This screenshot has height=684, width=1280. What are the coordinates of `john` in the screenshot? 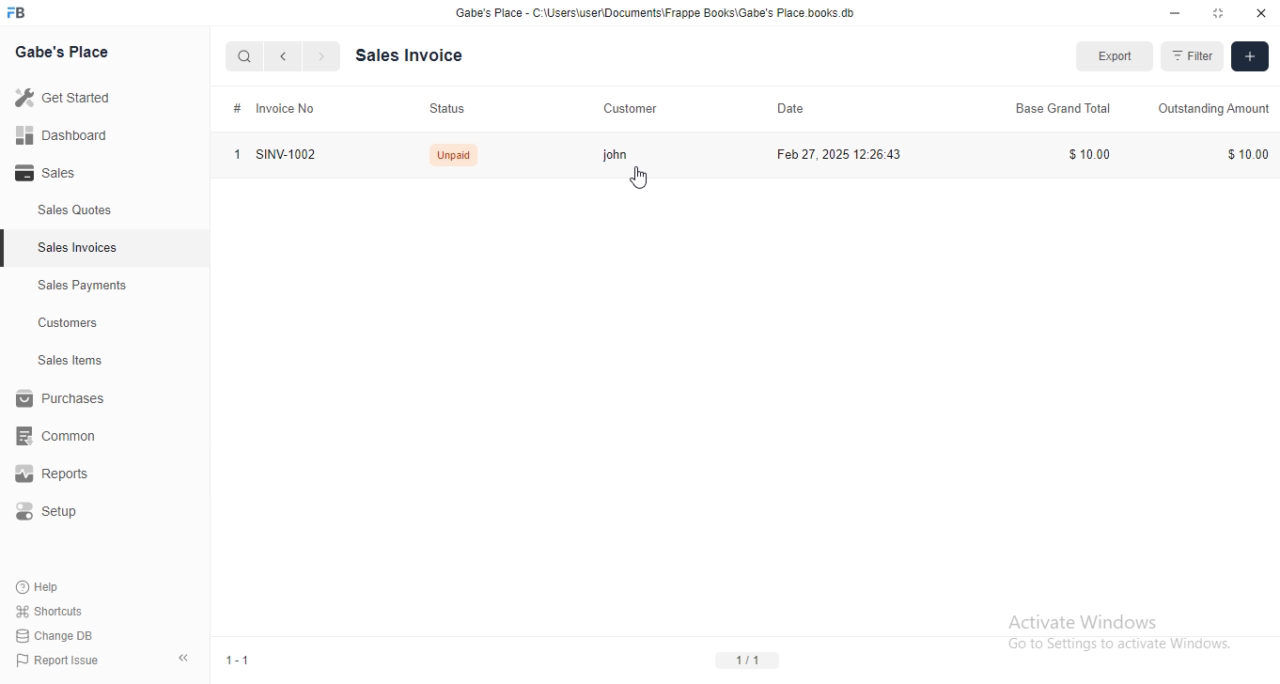 It's located at (615, 154).